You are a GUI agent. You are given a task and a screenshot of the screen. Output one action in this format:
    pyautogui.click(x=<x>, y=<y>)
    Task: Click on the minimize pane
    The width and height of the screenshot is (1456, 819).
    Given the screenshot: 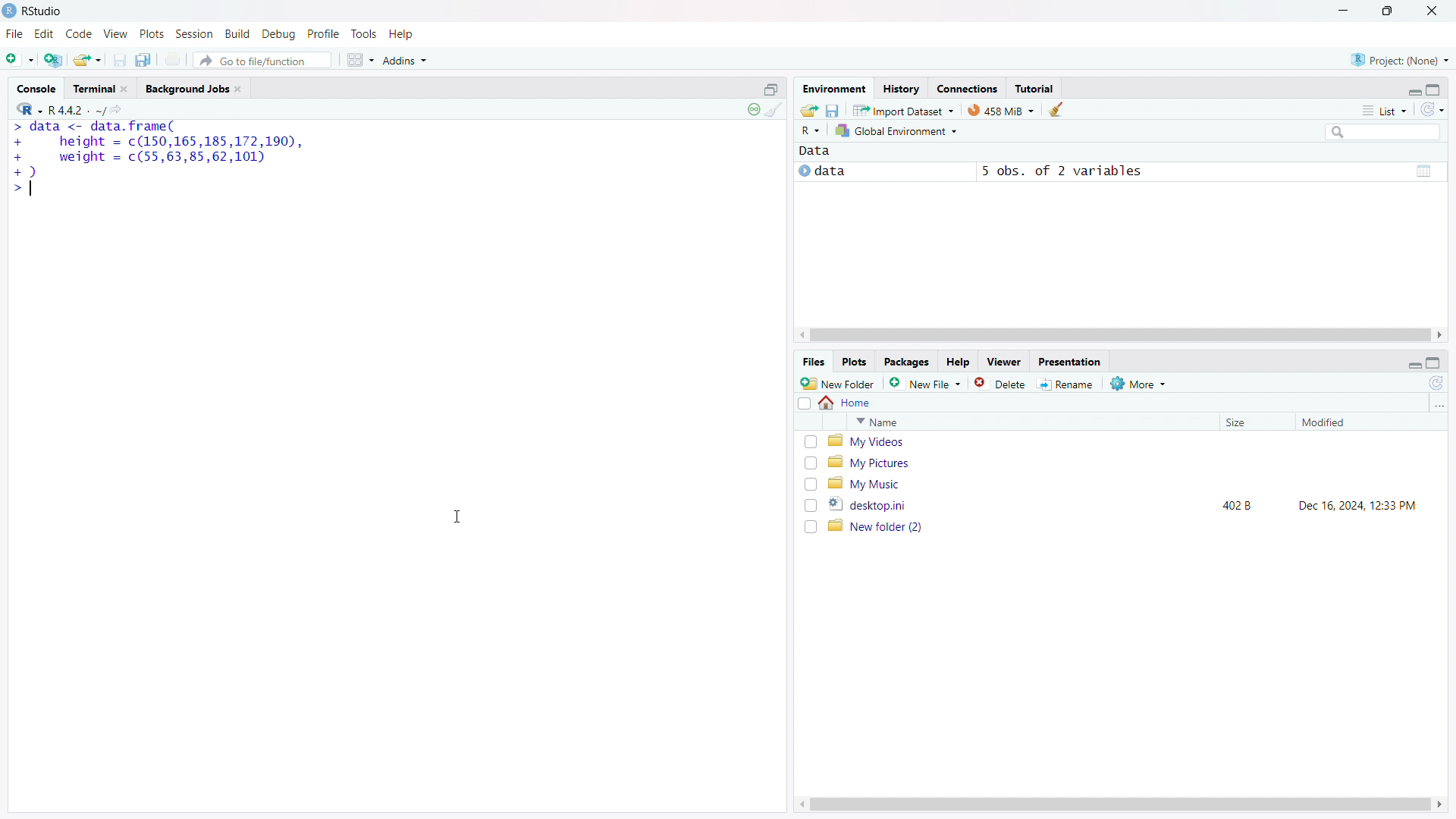 What is the action you would take?
    pyautogui.click(x=1414, y=362)
    